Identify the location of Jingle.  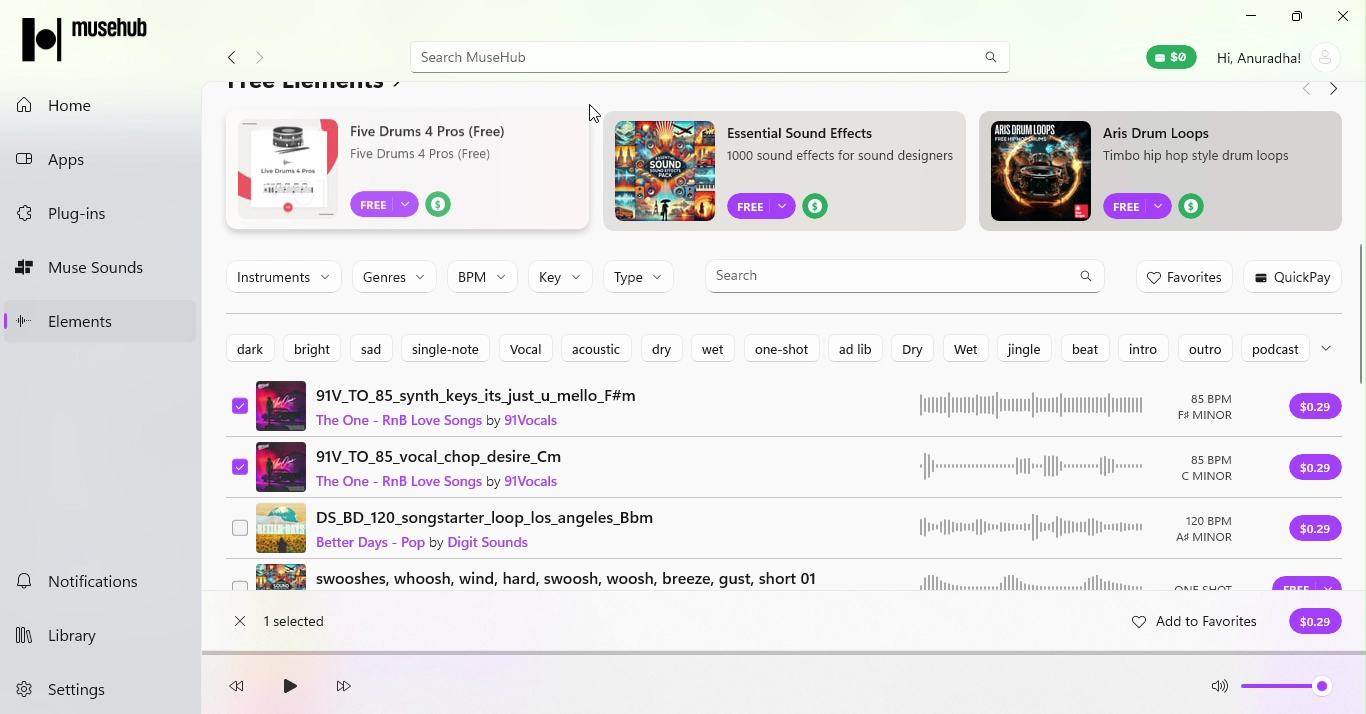
(1022, 348).